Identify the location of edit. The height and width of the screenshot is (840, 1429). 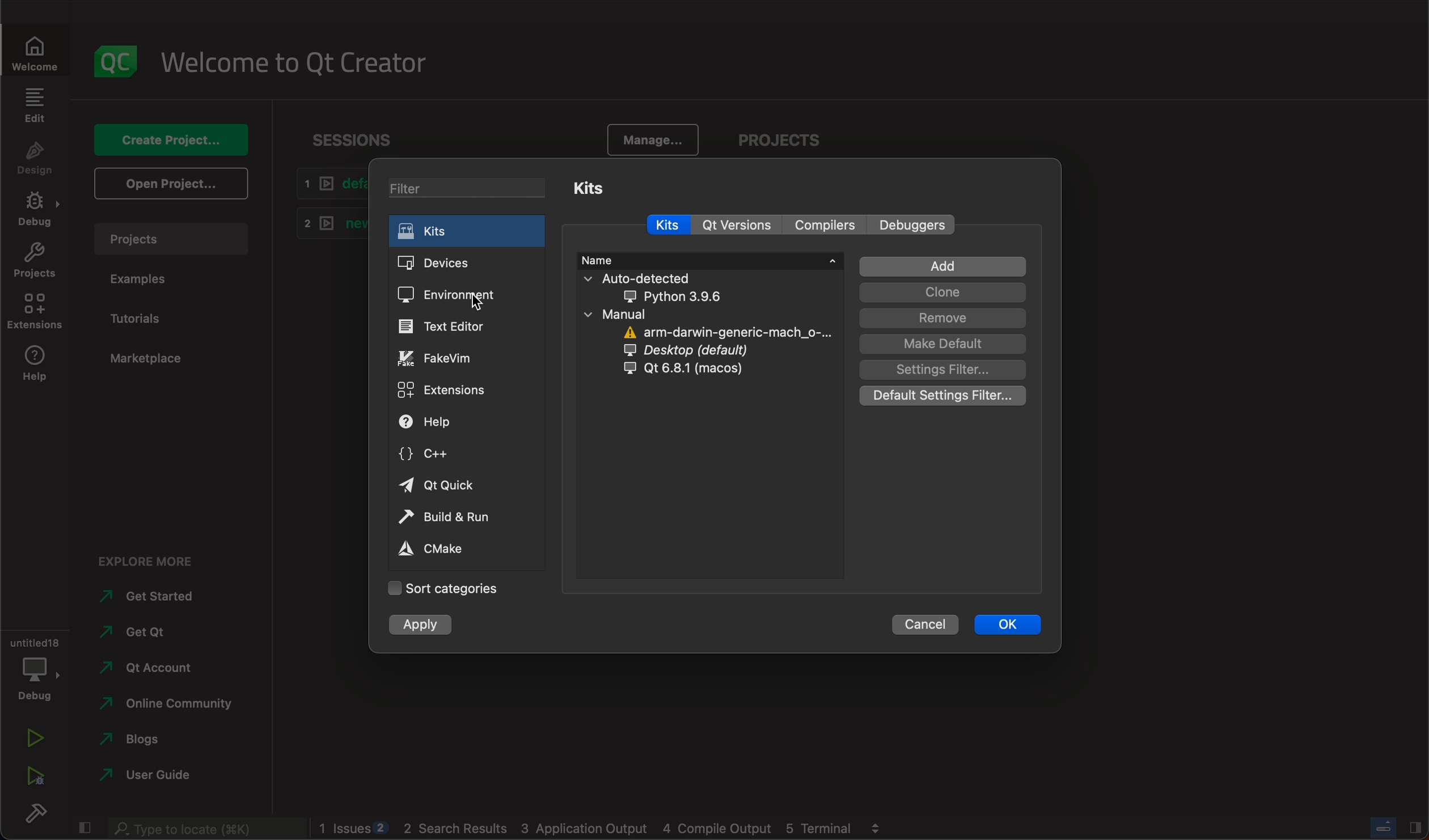
(36, 109).